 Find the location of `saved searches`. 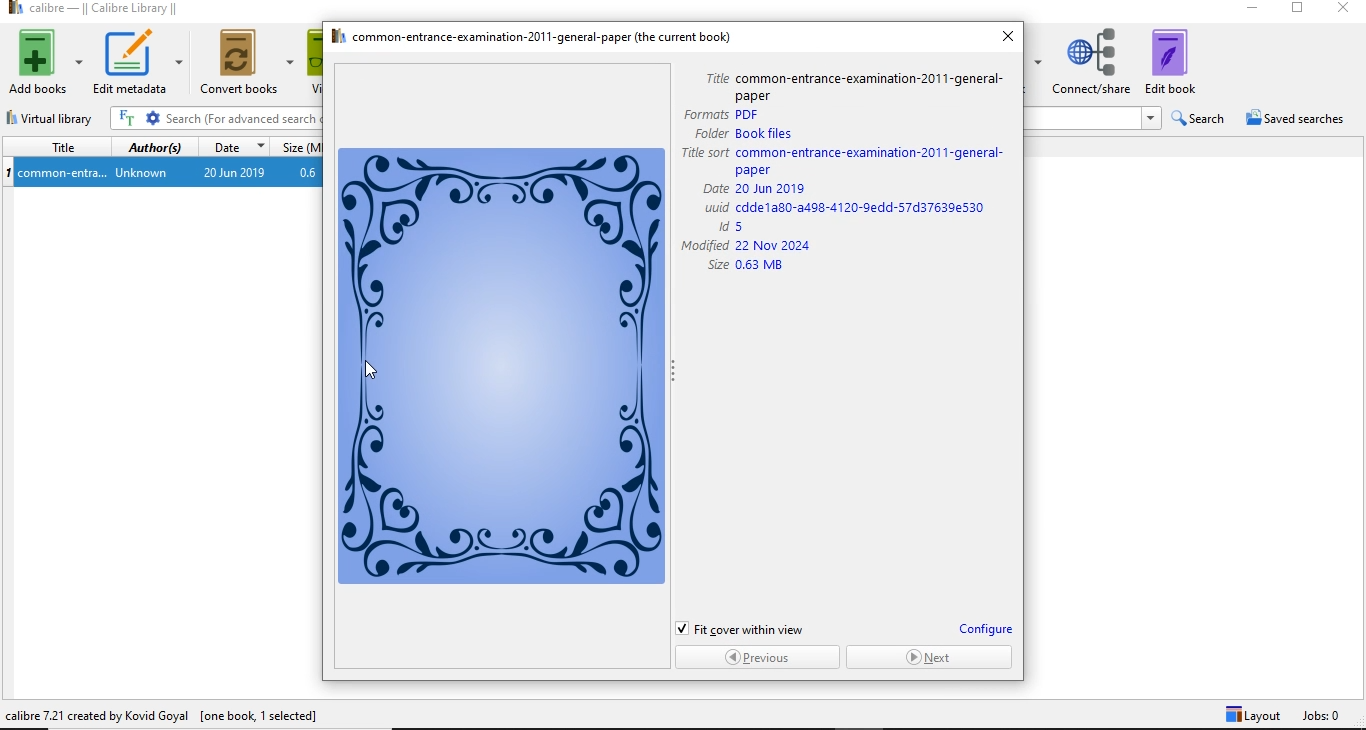

saved searches is located at coordinates (1300, 118).